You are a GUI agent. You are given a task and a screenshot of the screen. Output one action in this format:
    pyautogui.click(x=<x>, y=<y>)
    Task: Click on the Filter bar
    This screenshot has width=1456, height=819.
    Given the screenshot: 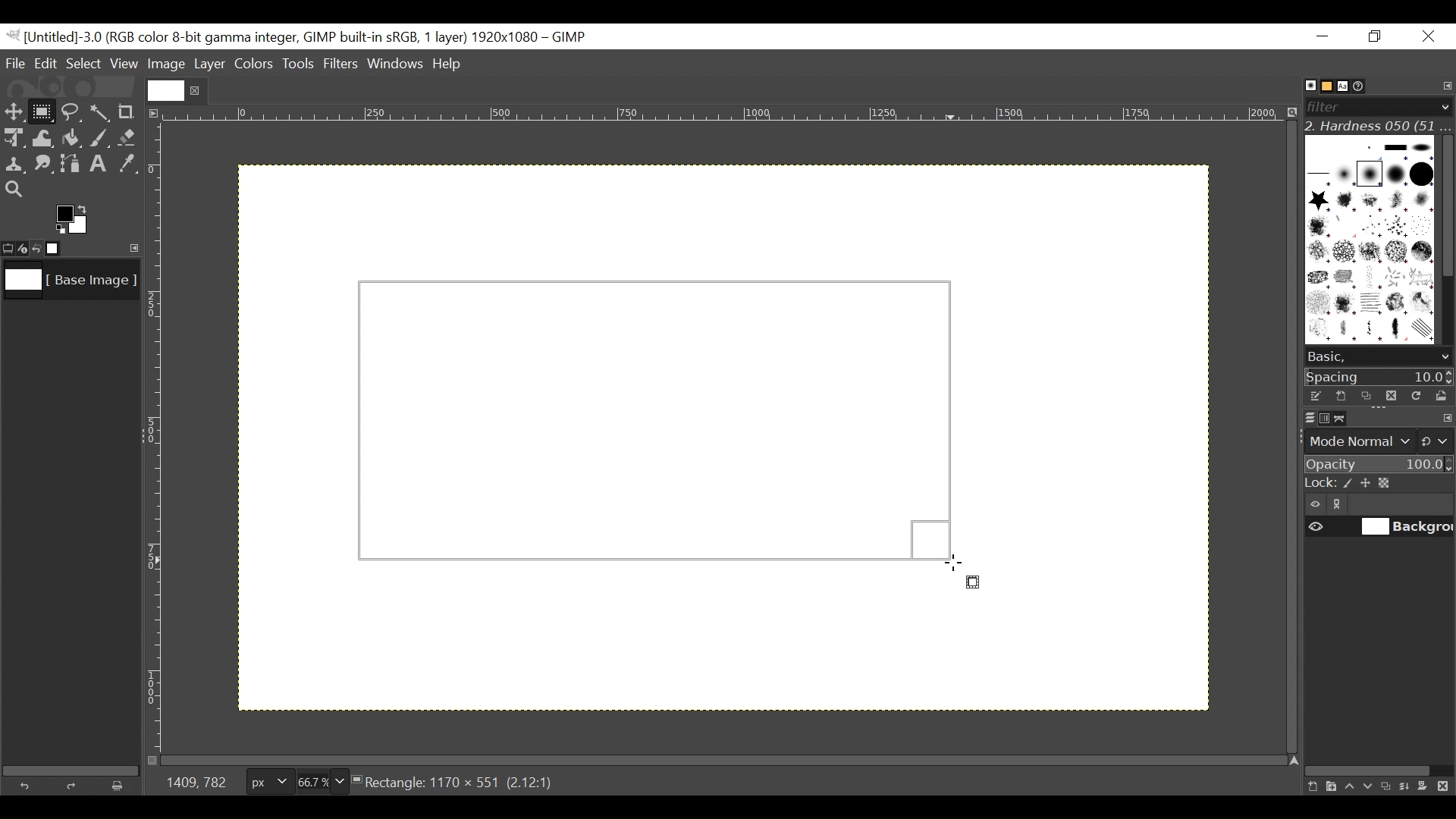 What is the action you would take?
    pyautogui.click(x=1377, y=105)
    